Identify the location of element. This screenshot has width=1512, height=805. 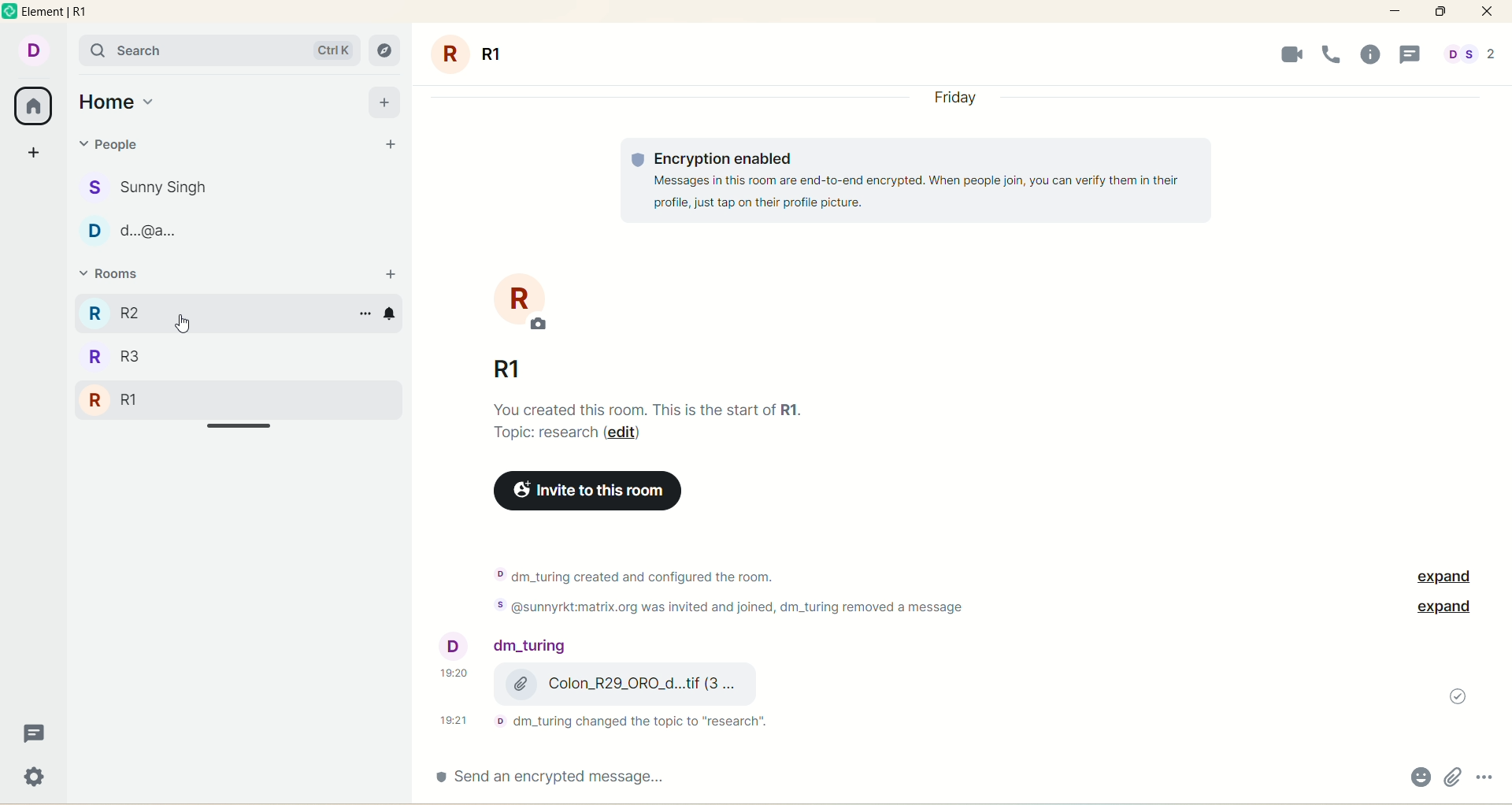
(61, 13).